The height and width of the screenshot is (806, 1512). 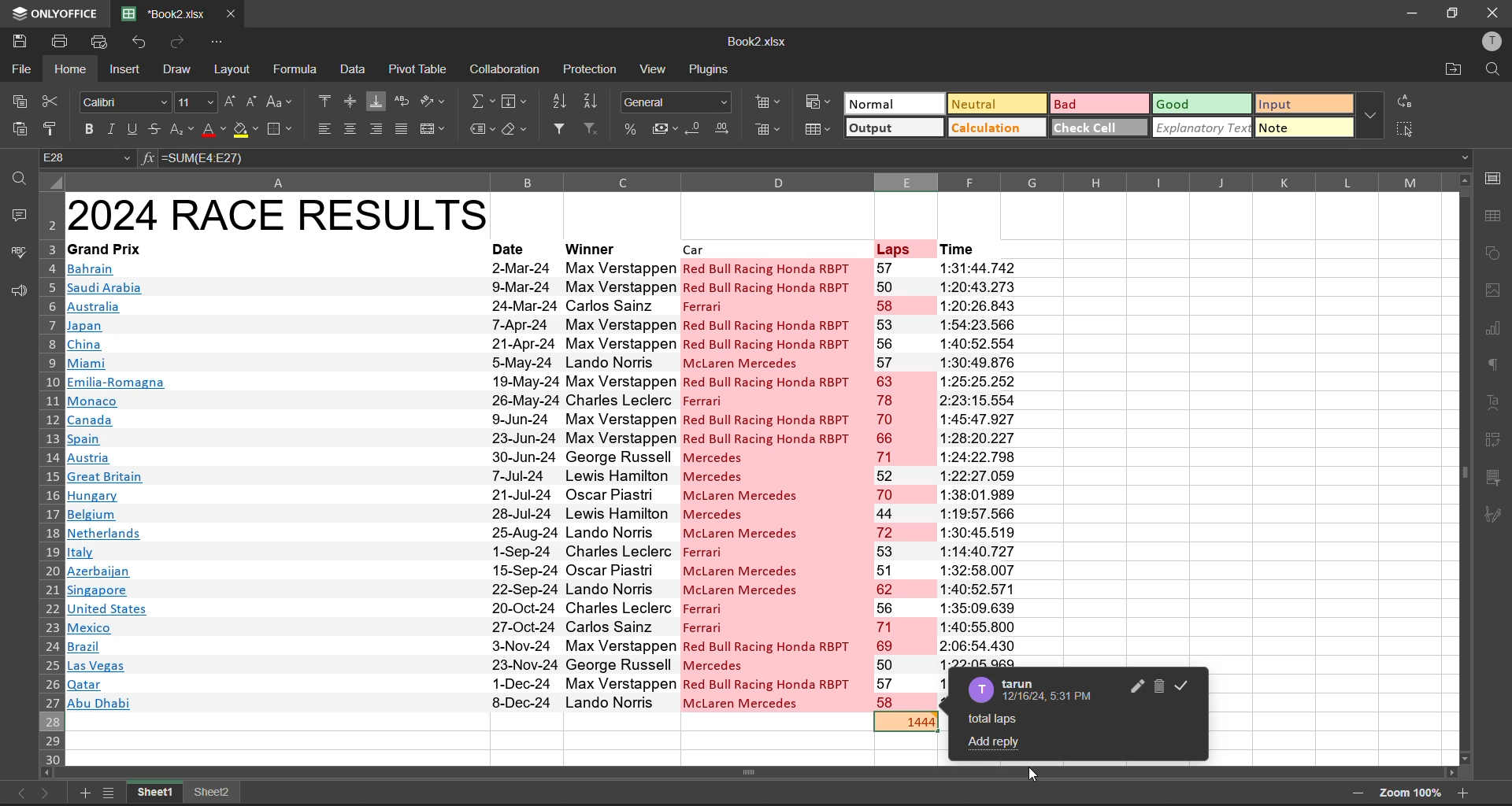 What do you see at coordinates (1181, 686) in the screenshot?
I see `resolve` at bounding box center [1181, 686].